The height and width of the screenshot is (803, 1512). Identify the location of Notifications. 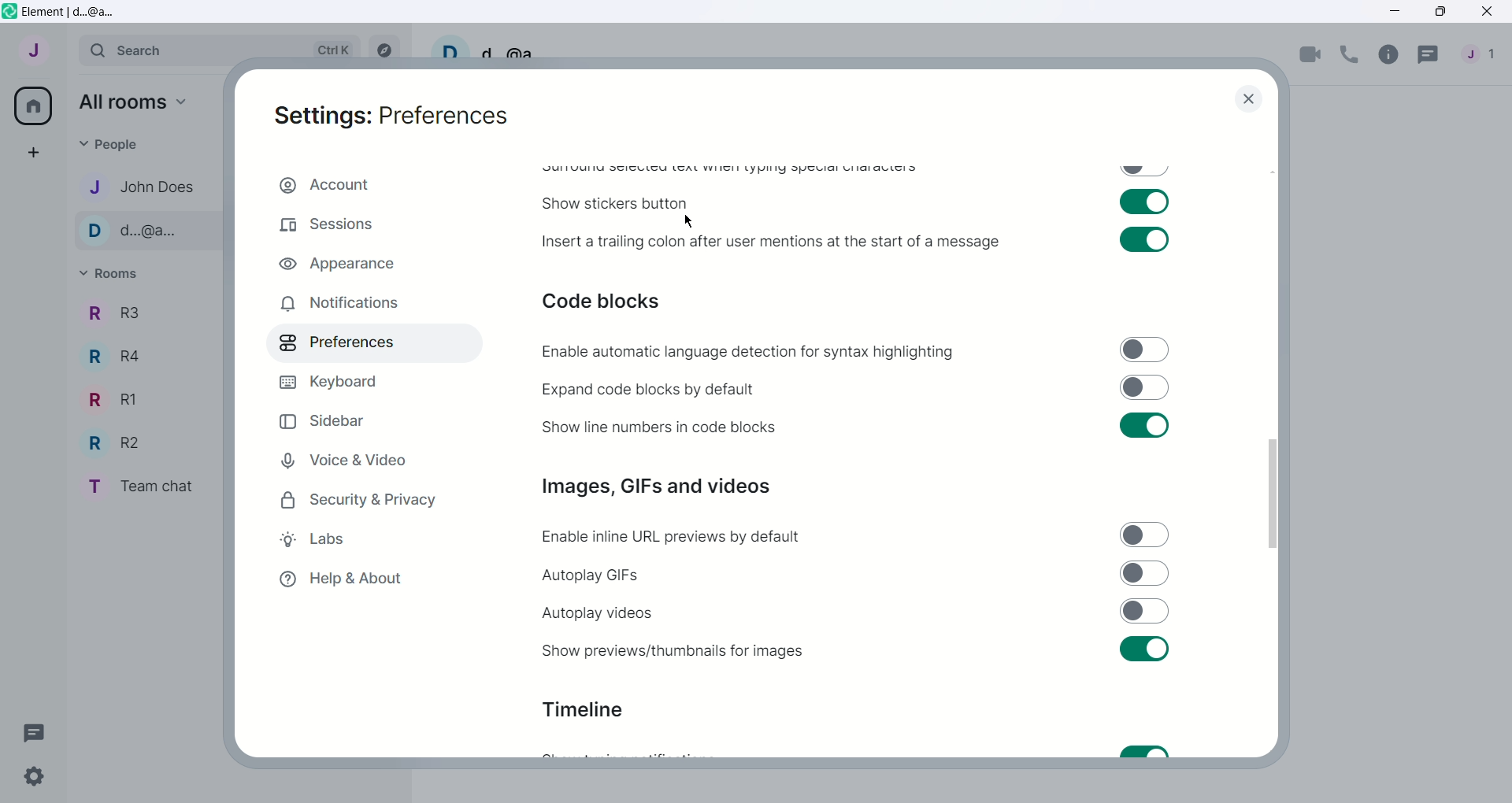
(361, 303).